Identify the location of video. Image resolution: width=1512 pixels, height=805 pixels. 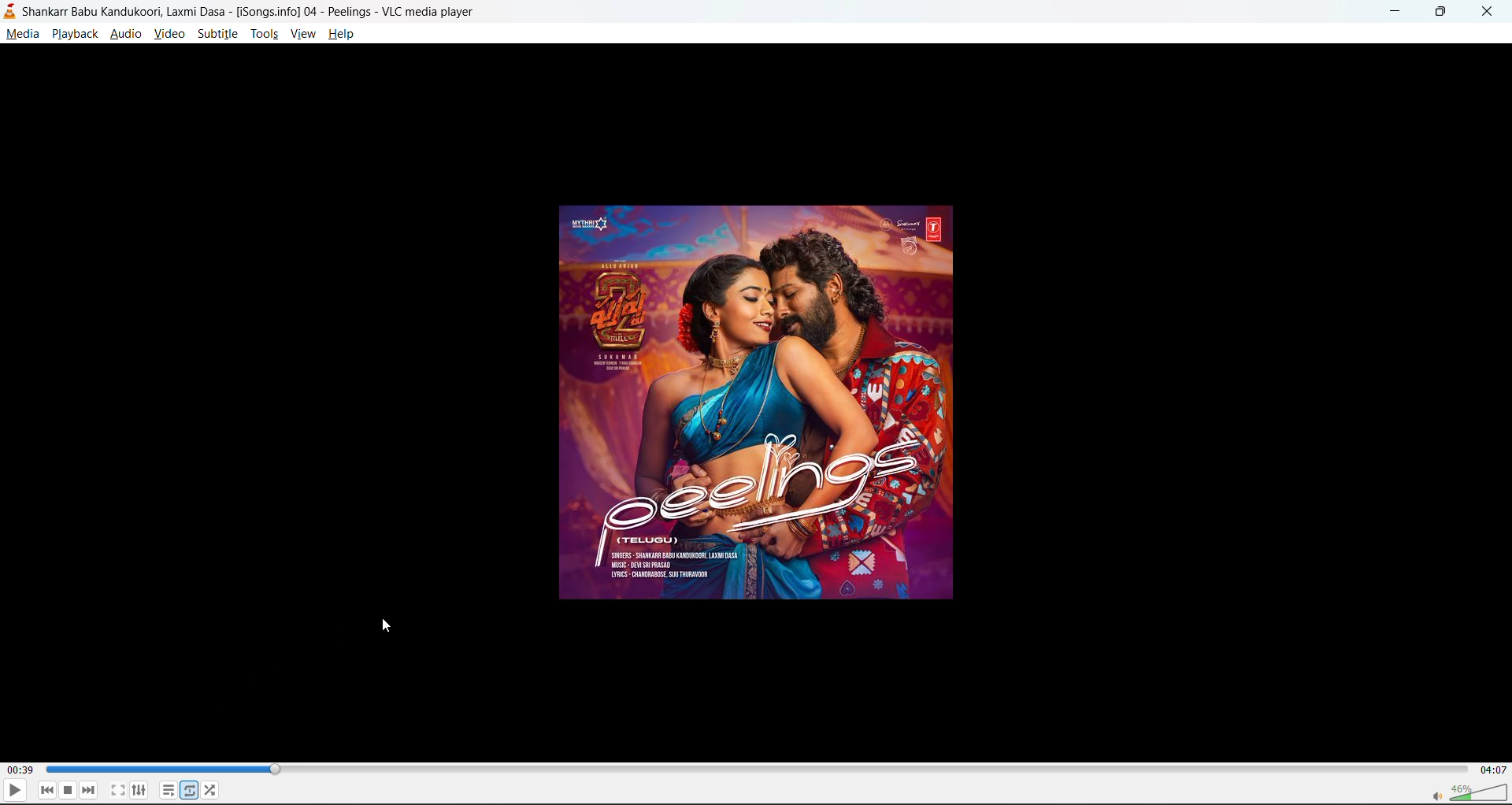
(170, 35).